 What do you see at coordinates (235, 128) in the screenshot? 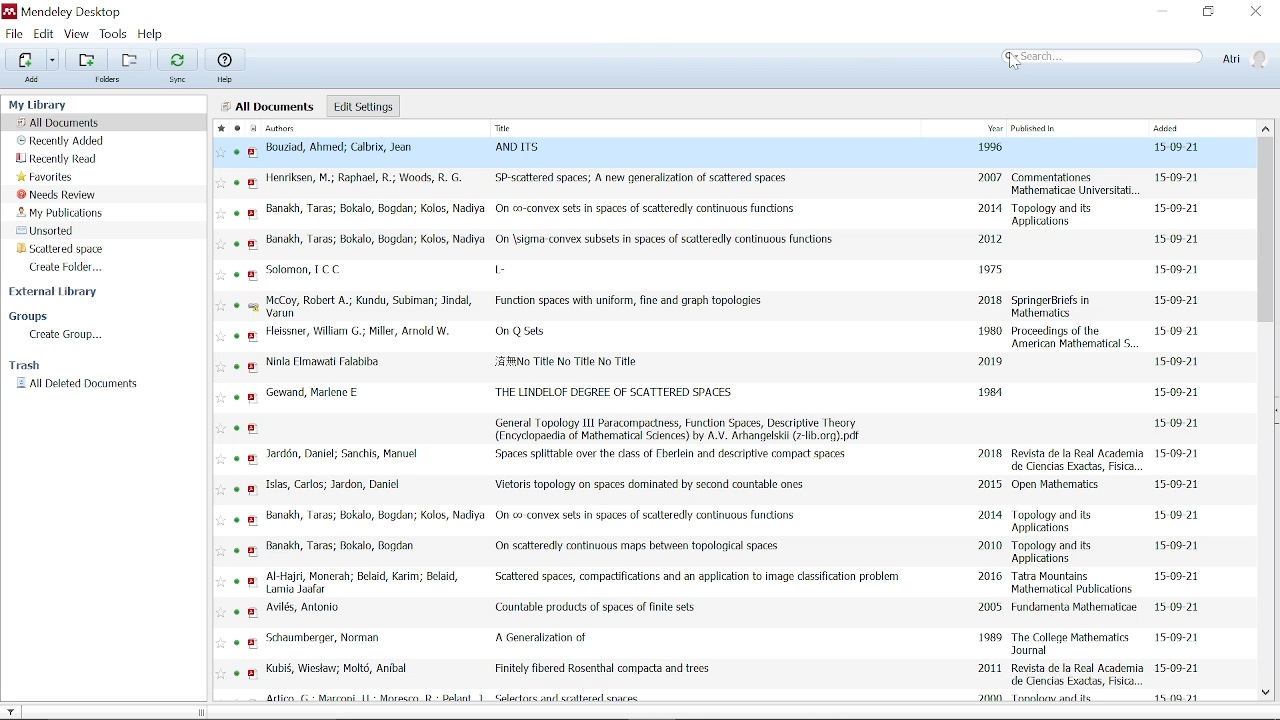
I see `Marked as read/unread` at bounding box center [235, 128].